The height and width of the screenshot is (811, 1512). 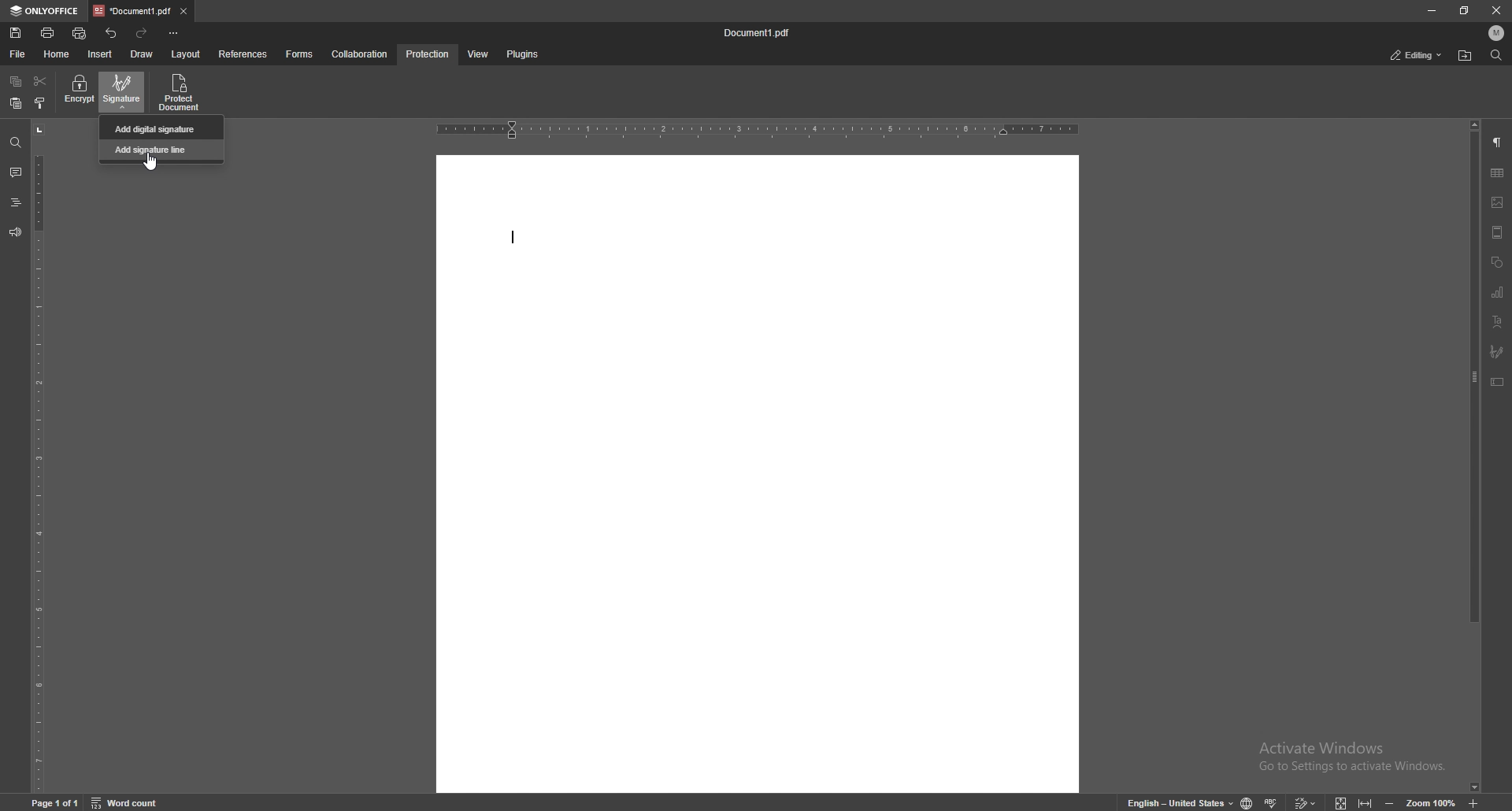 I want to click on shapes, so click(x=1496, y=263).